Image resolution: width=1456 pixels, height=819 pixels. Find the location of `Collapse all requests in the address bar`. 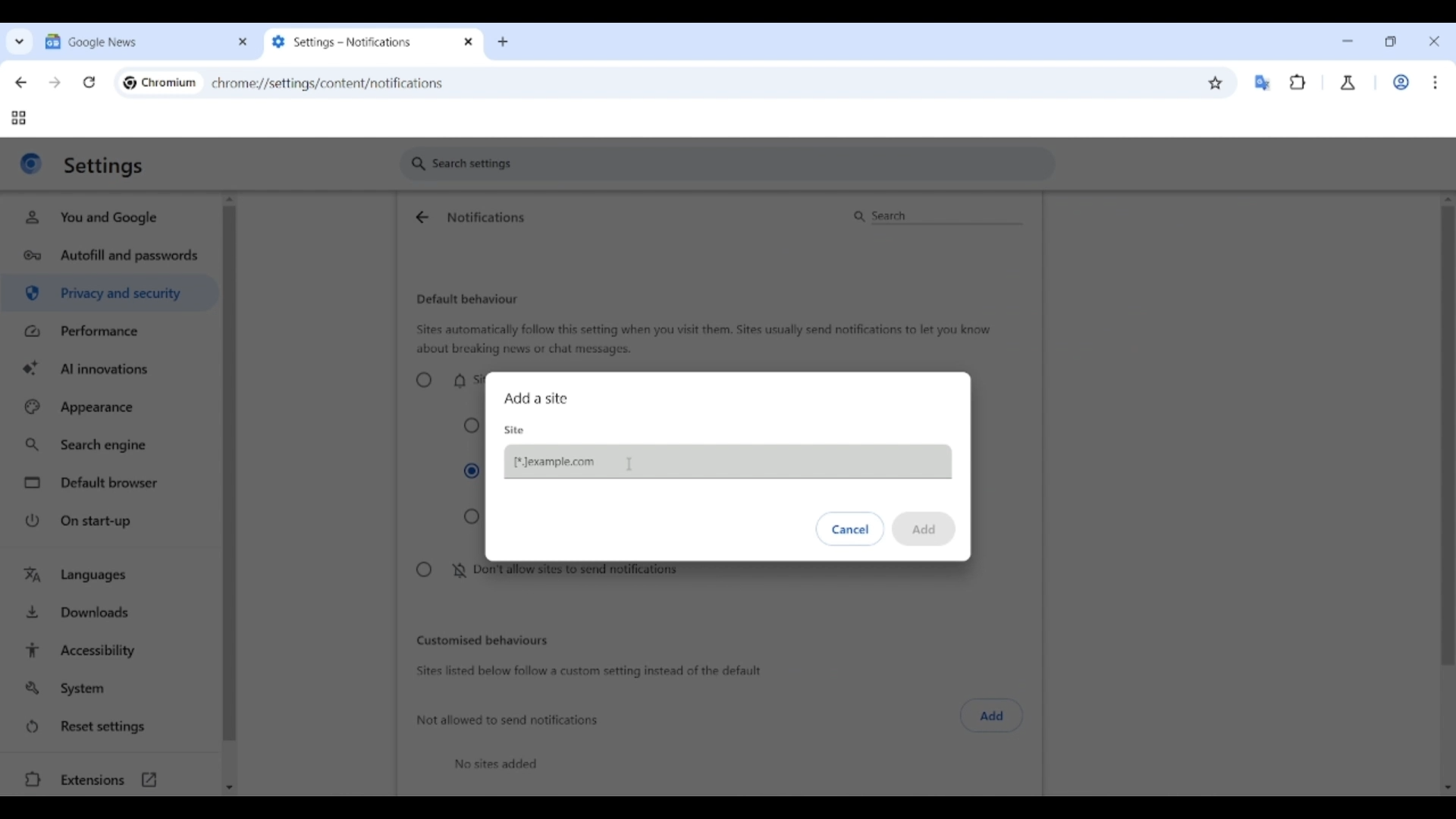

Collapse all requests in the address bar is located at coordinates (472, 426).